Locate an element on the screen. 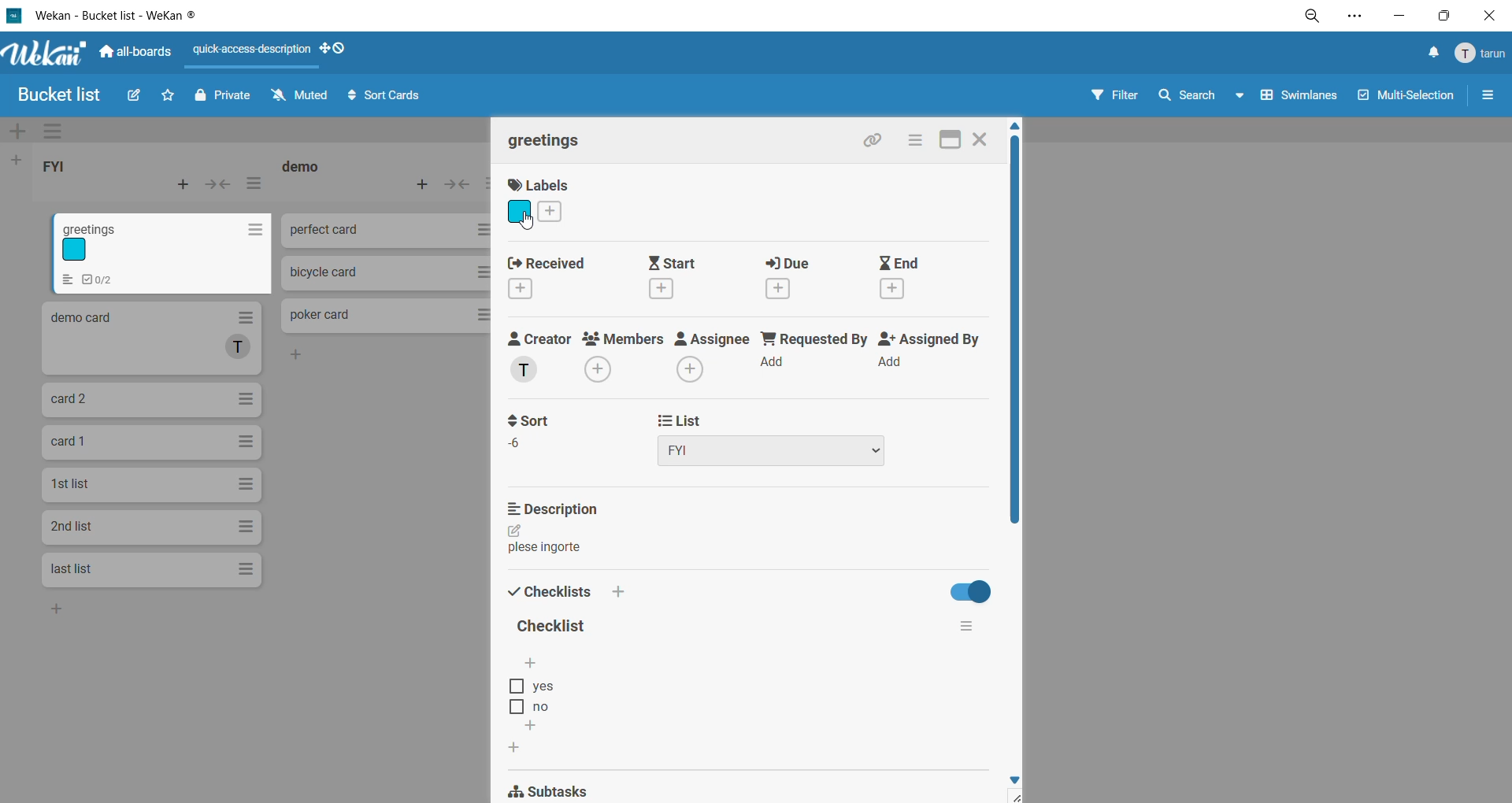 The height and width of the screenshot is (803, 1512). zoom is located at coordinates (1311, 17).